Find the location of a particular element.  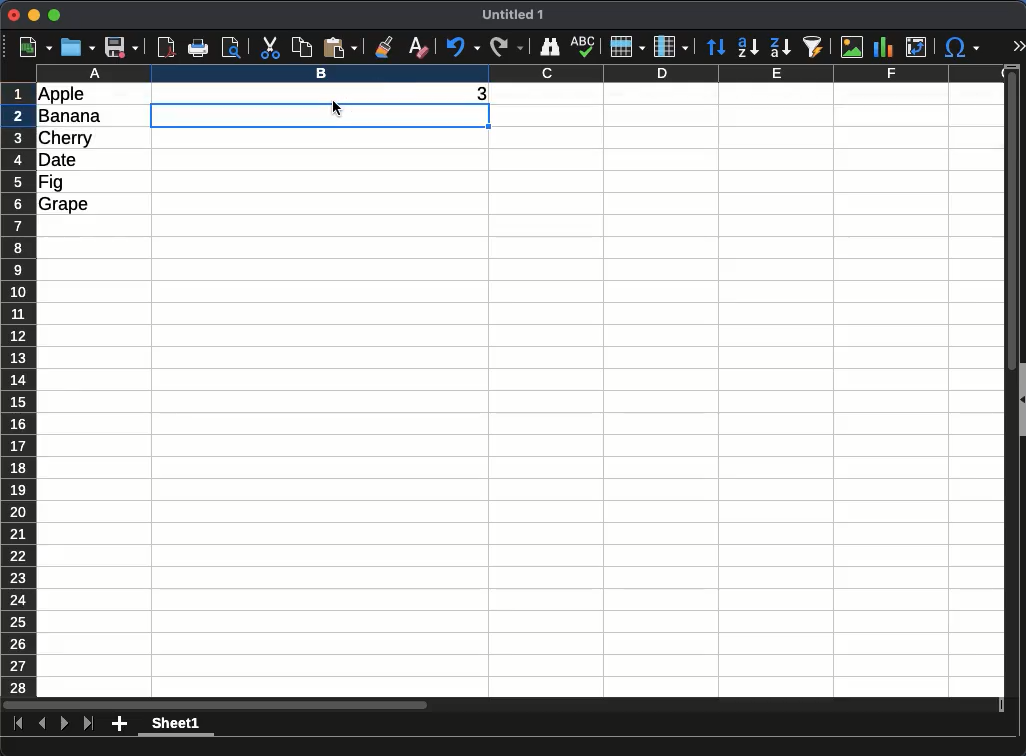

sheet1 is located at coordinates (176, 725).